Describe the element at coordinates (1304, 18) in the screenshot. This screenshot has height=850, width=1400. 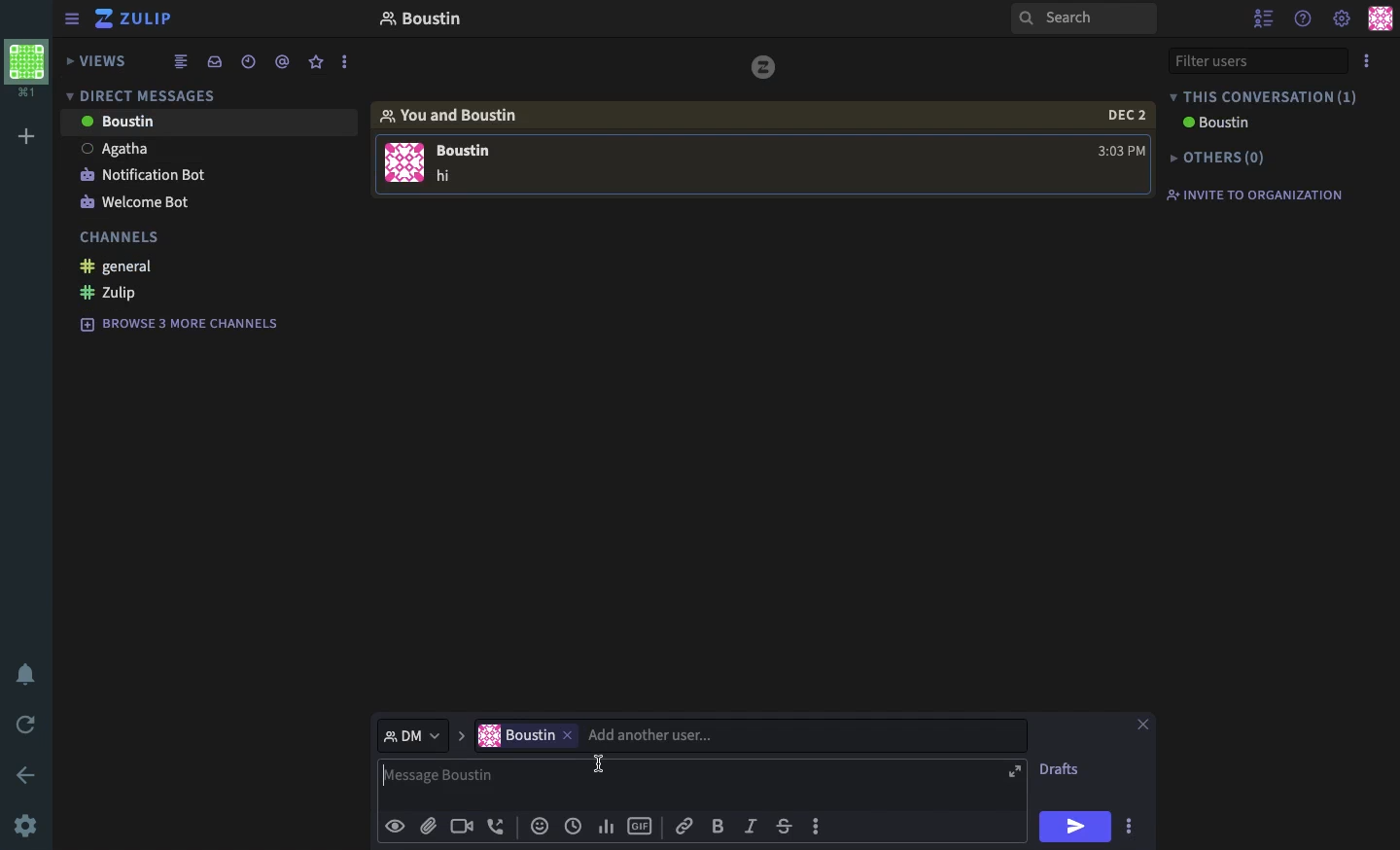
I see `help` at that location.